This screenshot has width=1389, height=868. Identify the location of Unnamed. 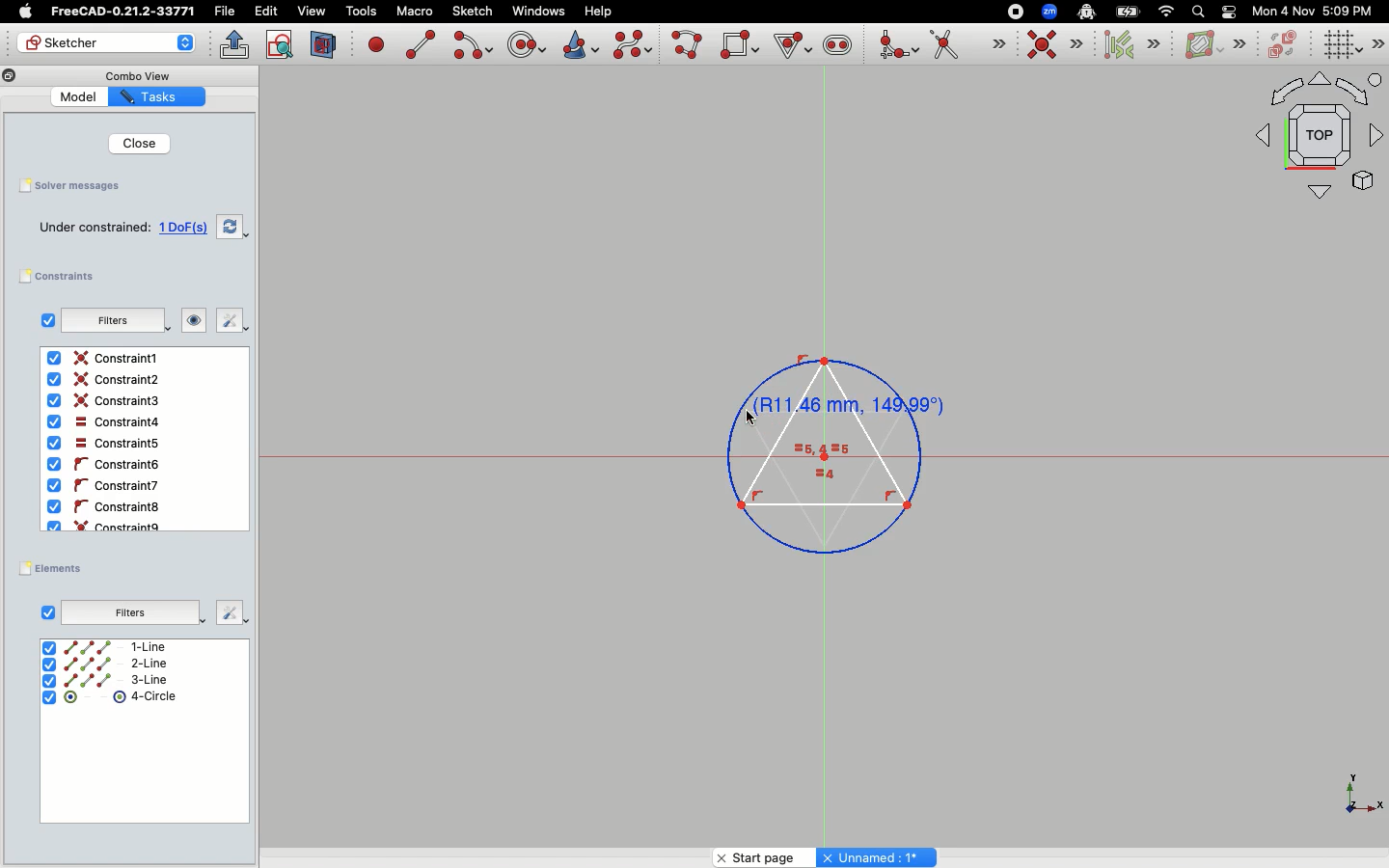
(879, 856).